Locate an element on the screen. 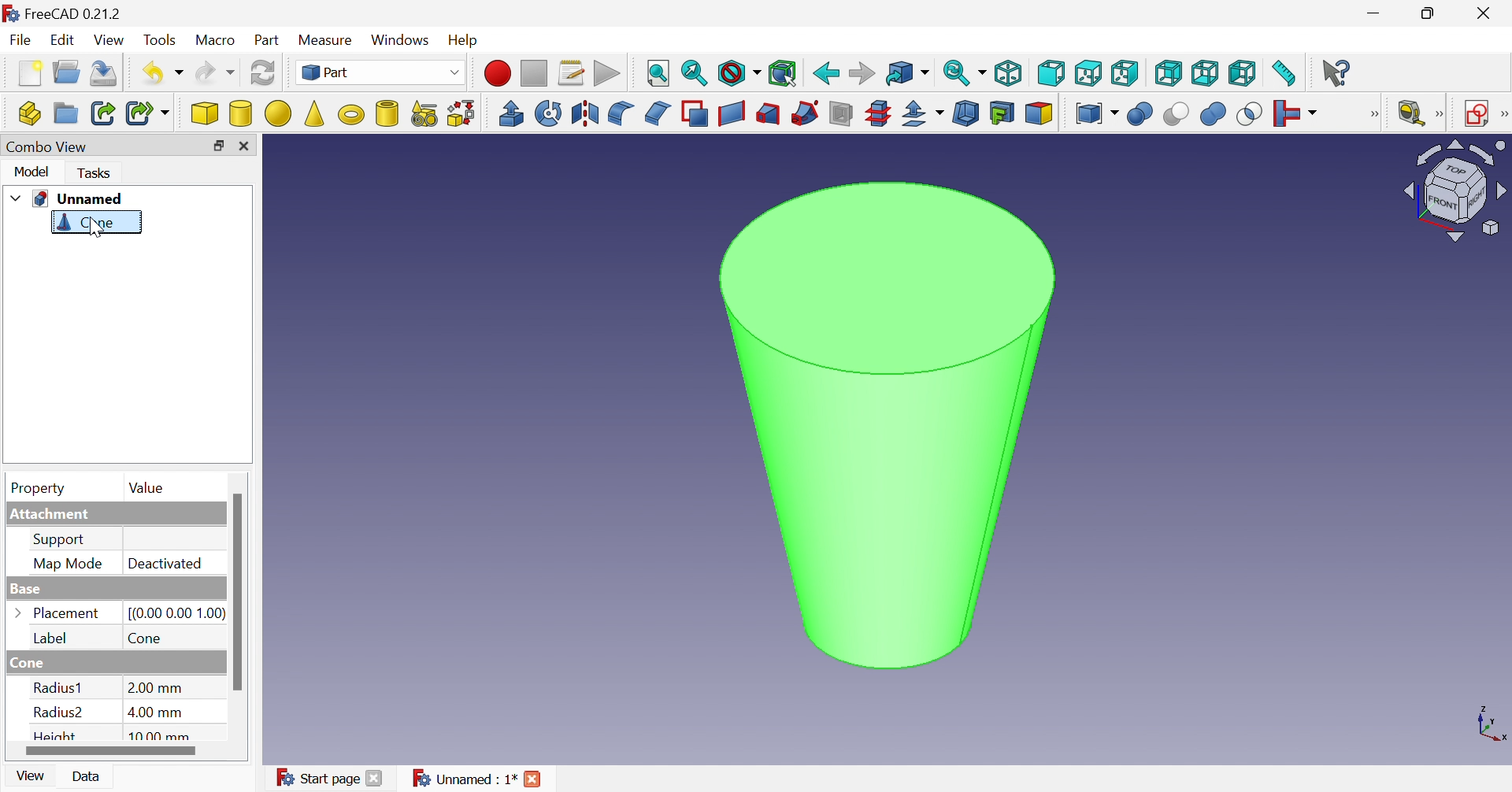 Image resolution: width=1512 pixels, height=792 pixels. Shape builder is located at coordinates (458, 114).